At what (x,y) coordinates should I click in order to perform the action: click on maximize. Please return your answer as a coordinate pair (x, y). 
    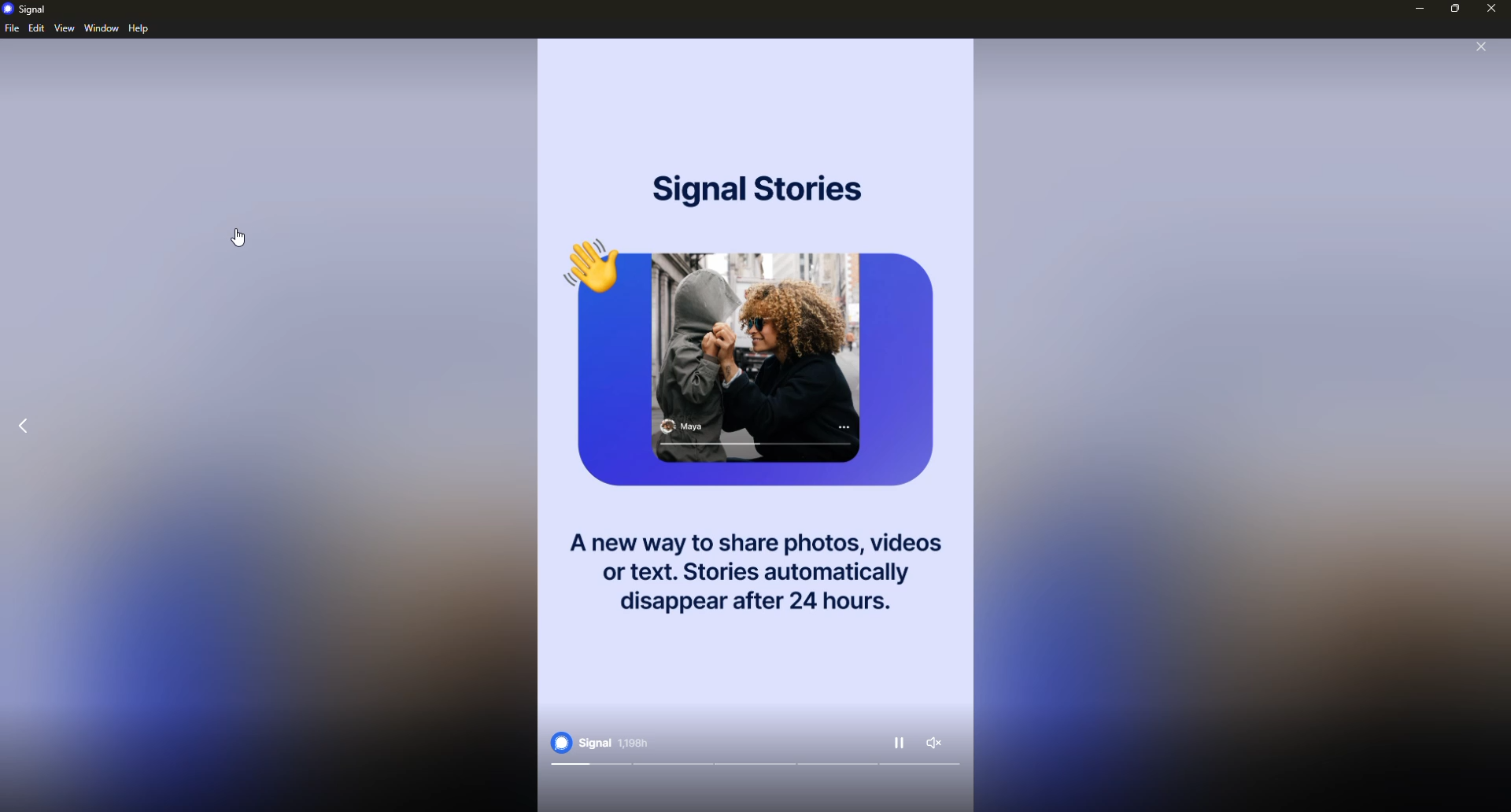
    Looking at the image, I should click on (1455, 9).